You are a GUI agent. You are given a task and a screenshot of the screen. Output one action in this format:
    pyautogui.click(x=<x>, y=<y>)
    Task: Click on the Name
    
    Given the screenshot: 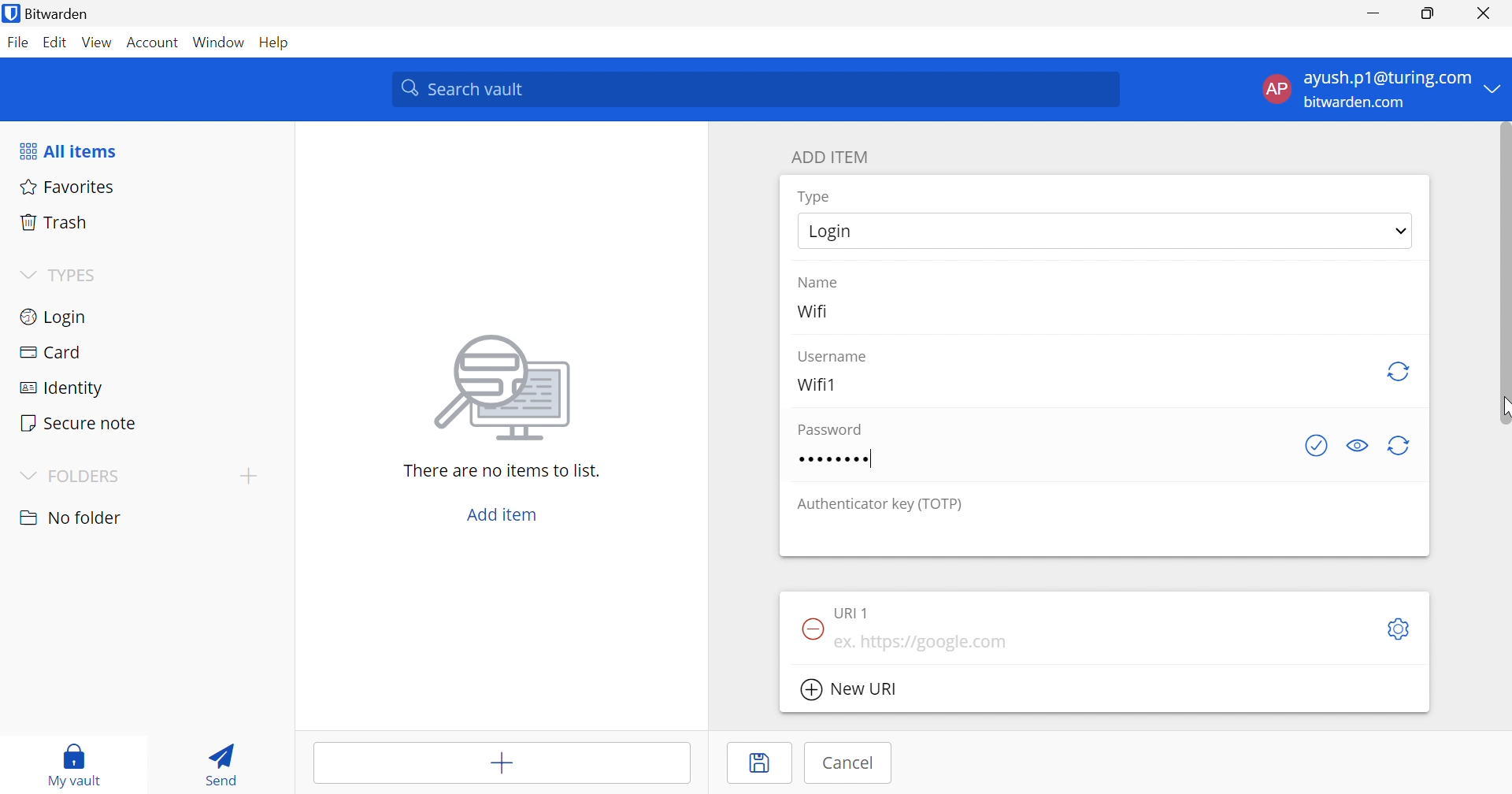 What is the action you would take?
    pyautogui.click(x=817, y=283)
    